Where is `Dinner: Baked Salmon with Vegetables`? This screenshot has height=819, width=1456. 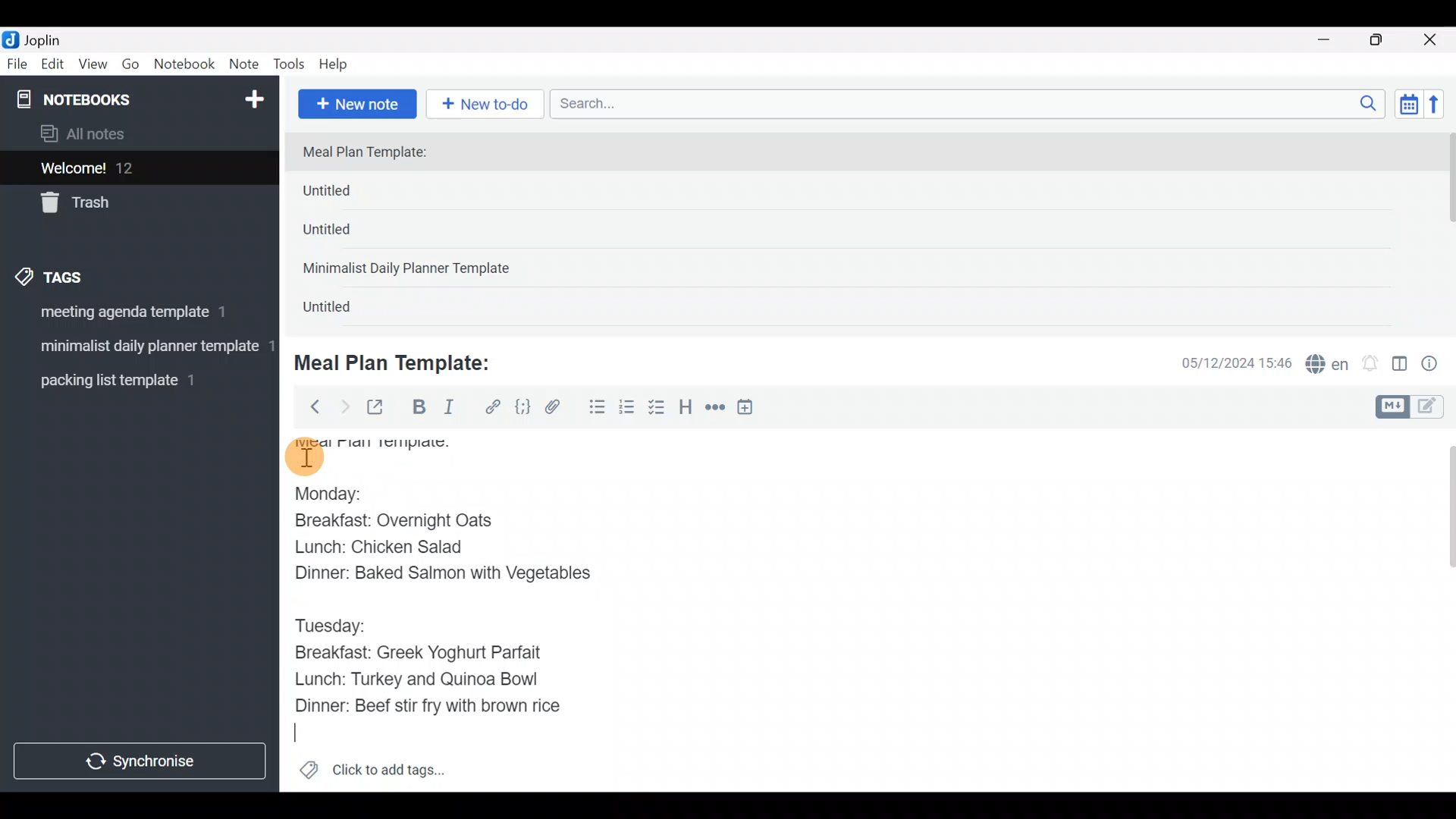
Dinner: Baked Salmon with Vegetables is located at coordinates (447, 573).